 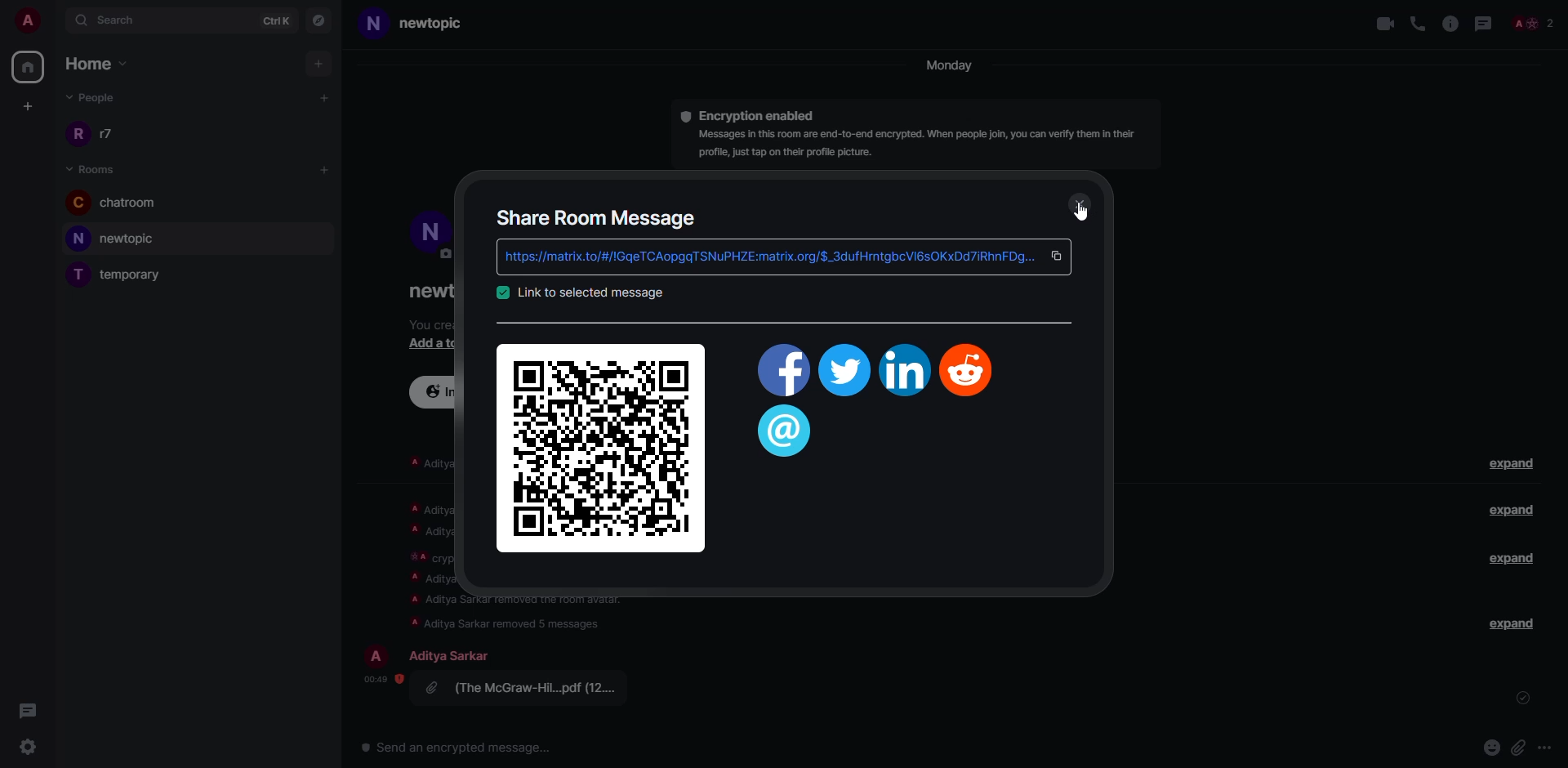 What do you see at coordinates (25, 745) in the screenshot?
I see `settings` at bounding box center [25, 745].